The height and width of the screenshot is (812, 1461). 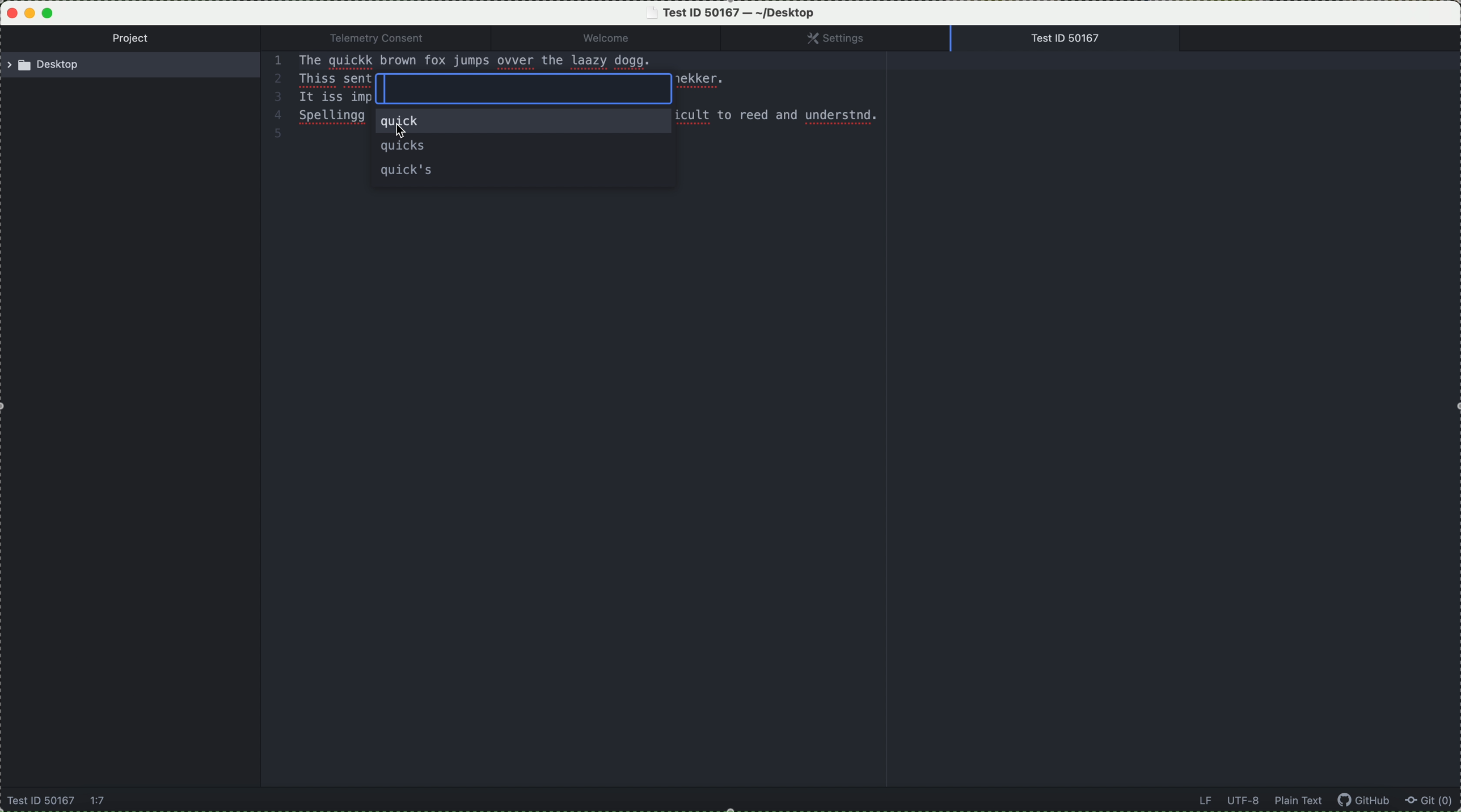 What do you see at coordinates (387, 38) in the screenshot?
I see `Telemetry consent` at bounding box center [387, 38].